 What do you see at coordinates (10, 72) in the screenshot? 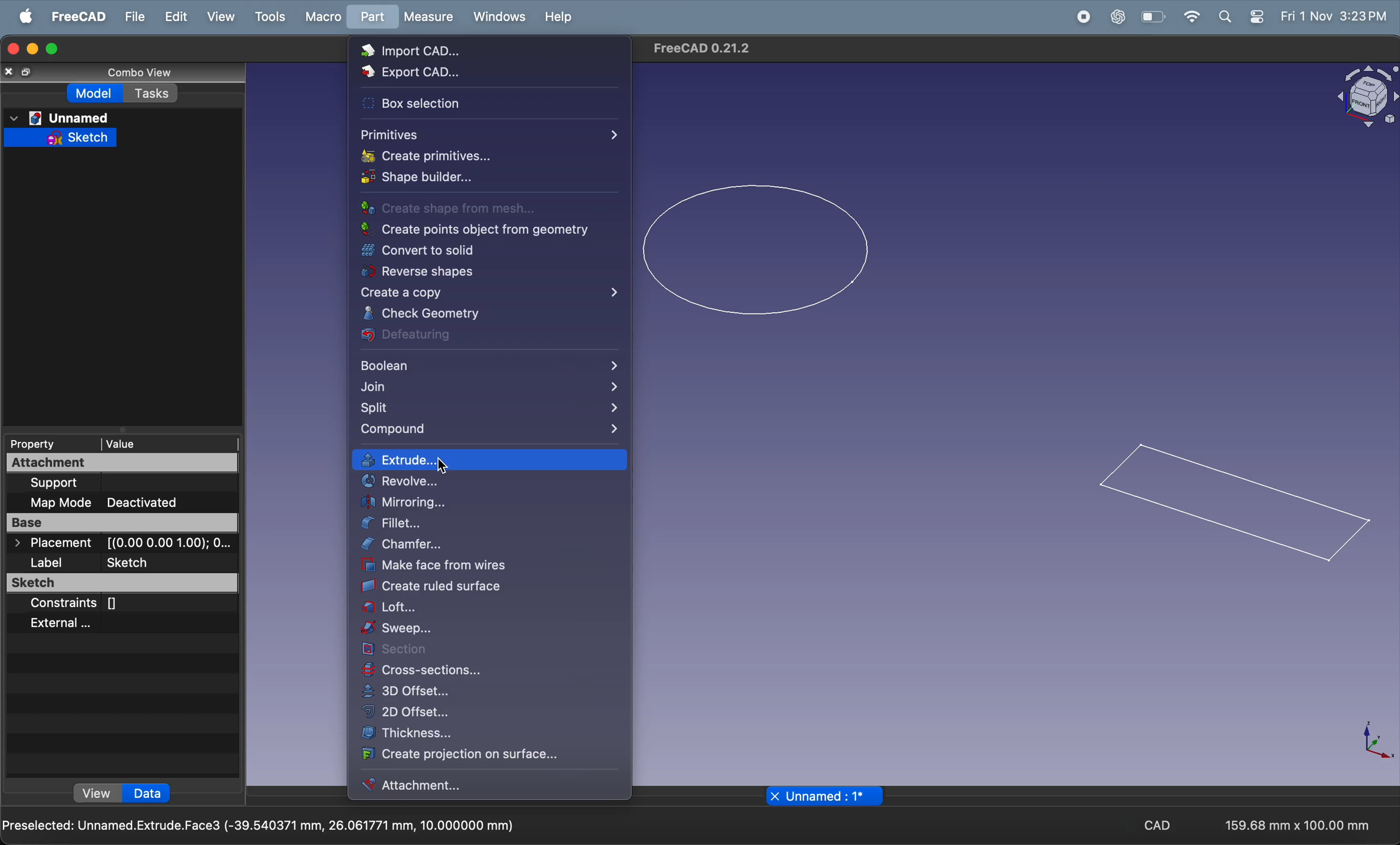
I see `close` at bounding box center [10, 72].